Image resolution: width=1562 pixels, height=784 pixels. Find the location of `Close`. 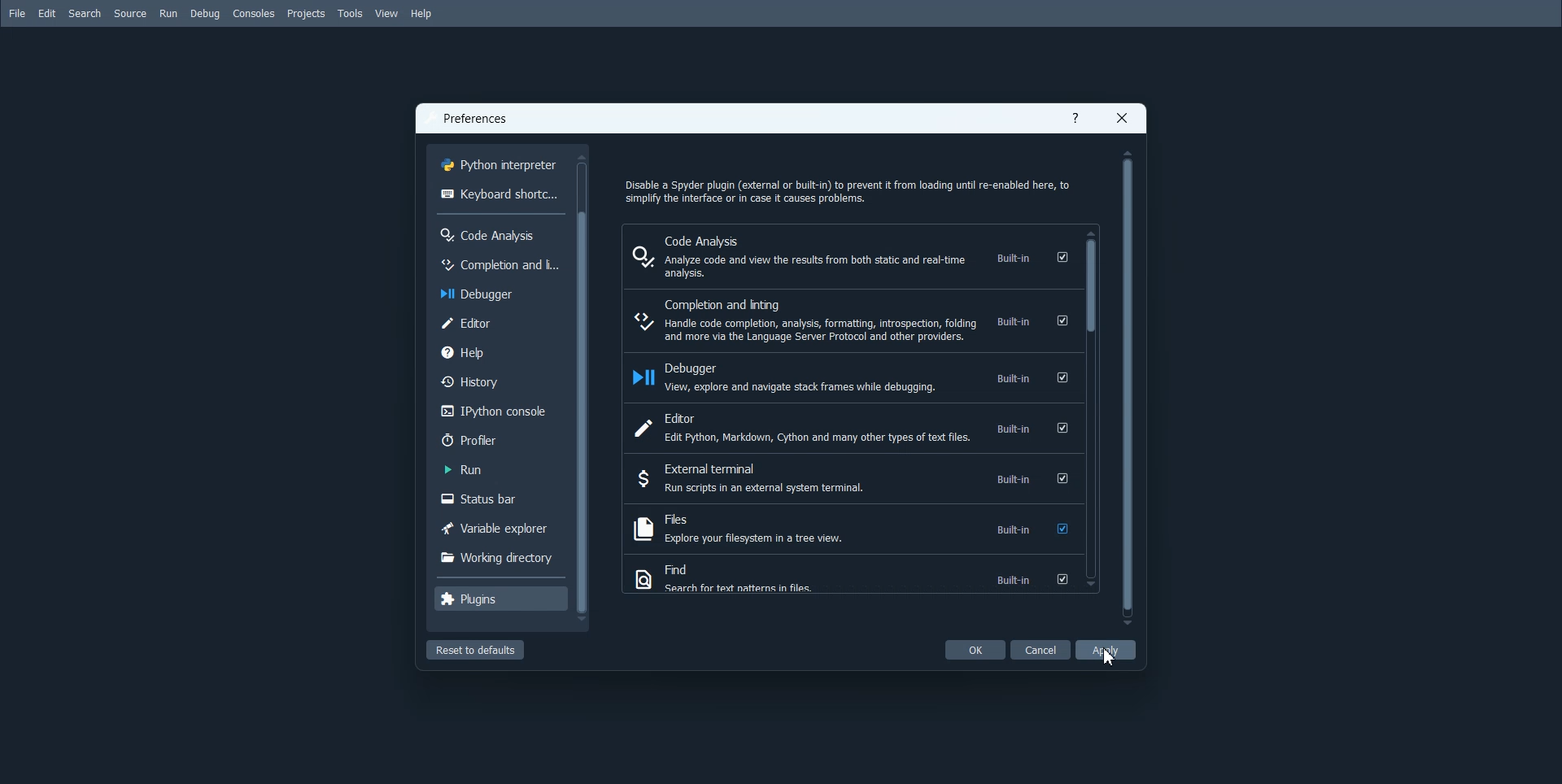

Close is located at coordinates (1122, 118).